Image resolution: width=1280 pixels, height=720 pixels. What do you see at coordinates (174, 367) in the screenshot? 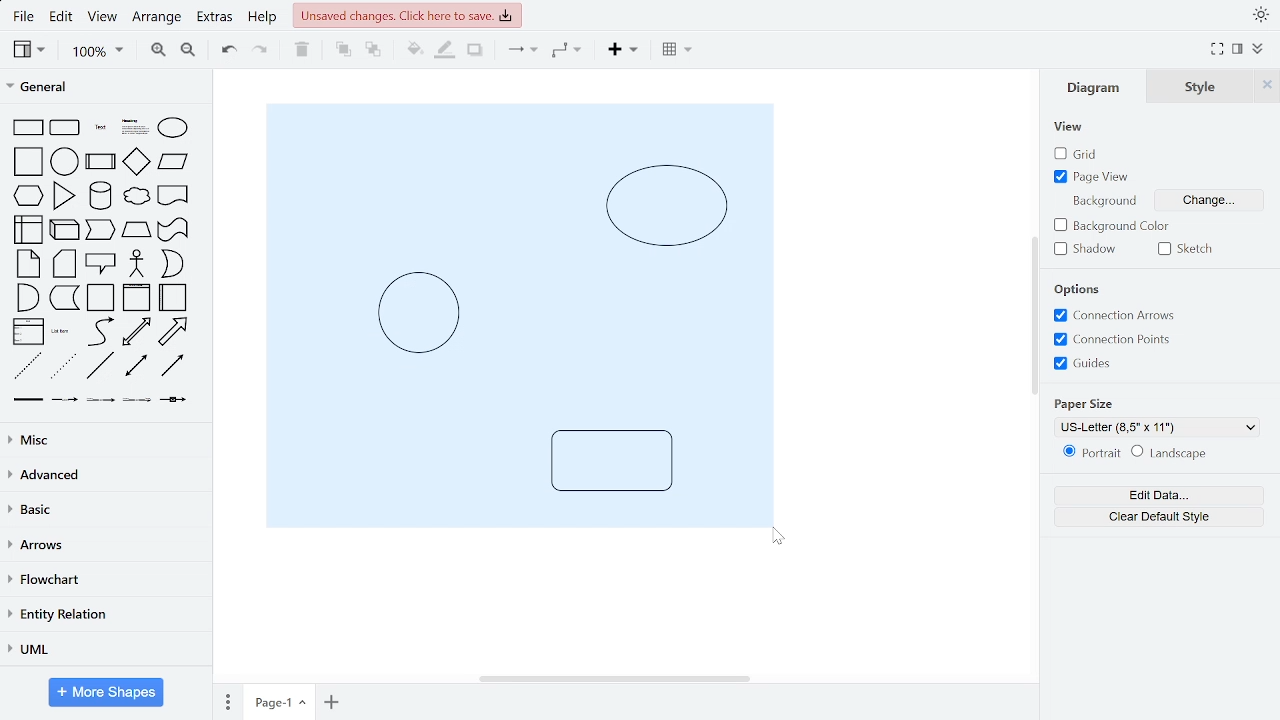
I see `directional connector` at bounding box center [174, 367].